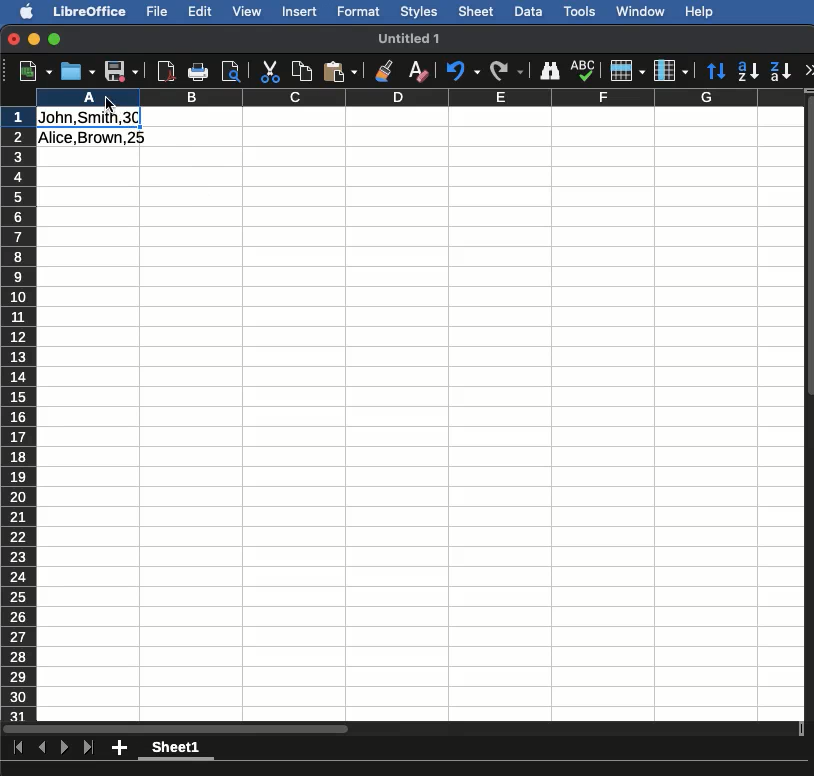 This screenshot has height=776, width=814. I want to click on Data, so click(92, 129).